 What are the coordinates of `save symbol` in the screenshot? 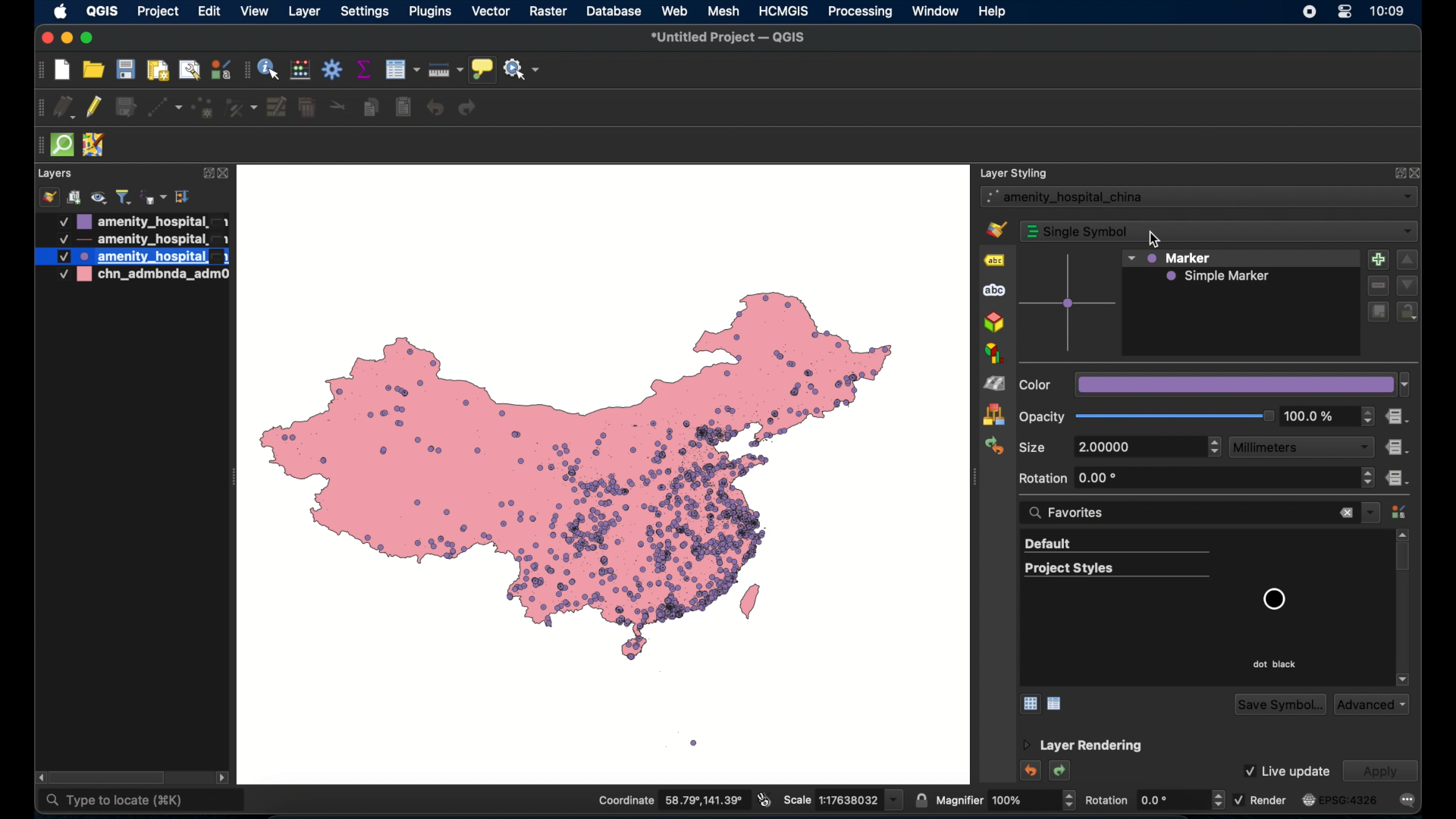 It's located at (1278, 704).